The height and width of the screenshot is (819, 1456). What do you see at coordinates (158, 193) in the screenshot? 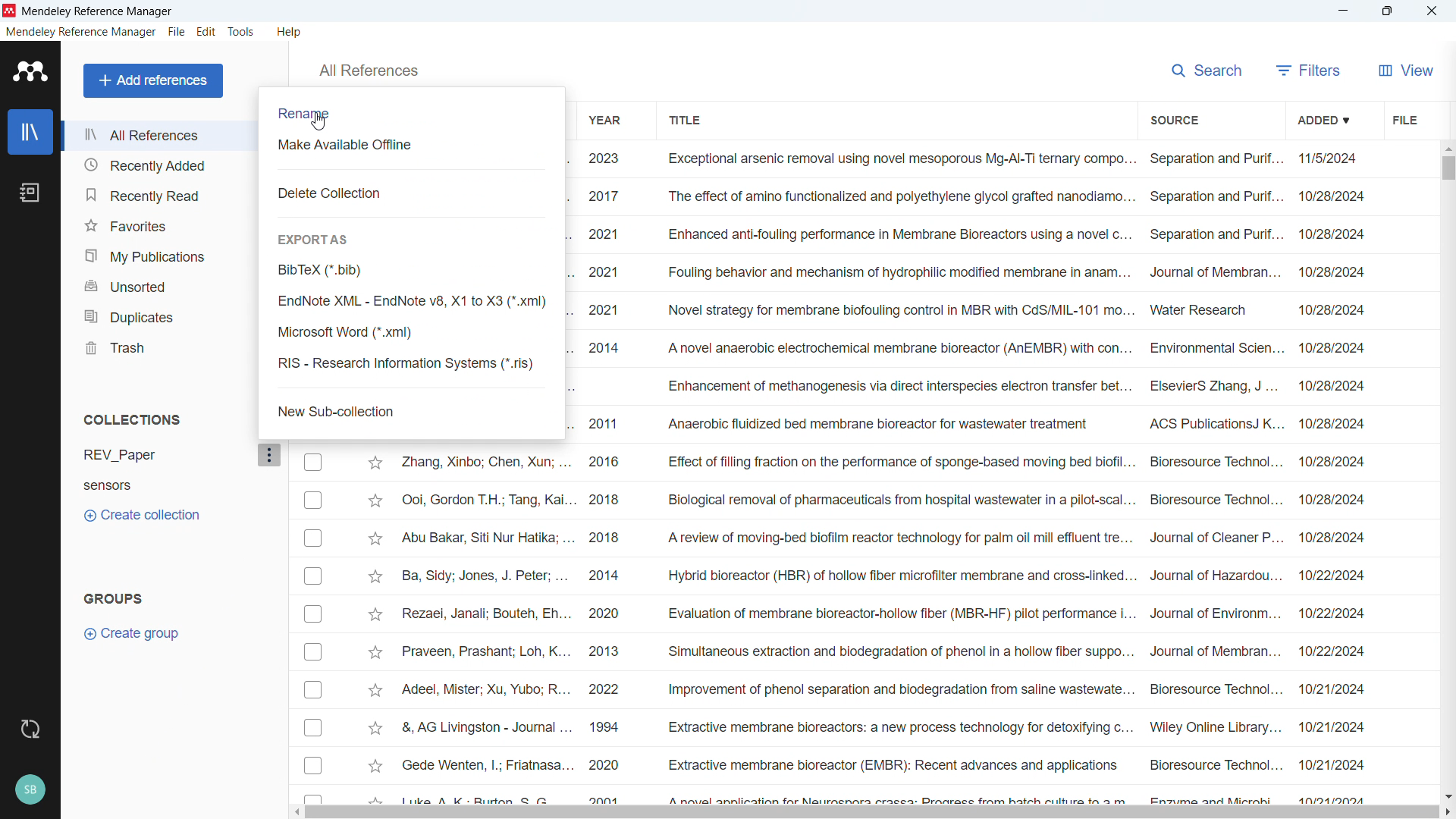
I see `Recently read ` at bounding box center [158, 193].